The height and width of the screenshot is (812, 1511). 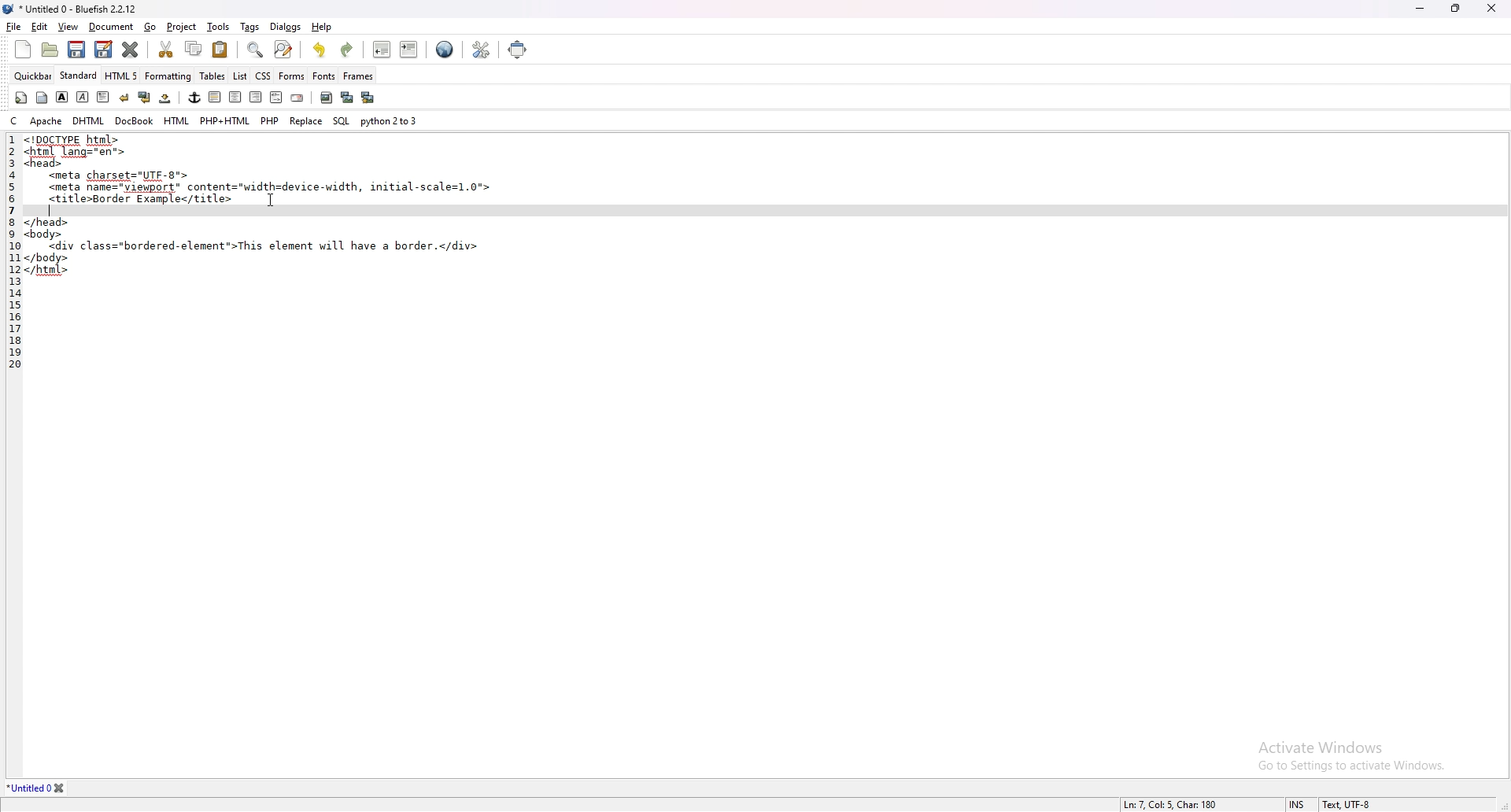 I want to click on multi thumbnail, so click(x=370, y=97).